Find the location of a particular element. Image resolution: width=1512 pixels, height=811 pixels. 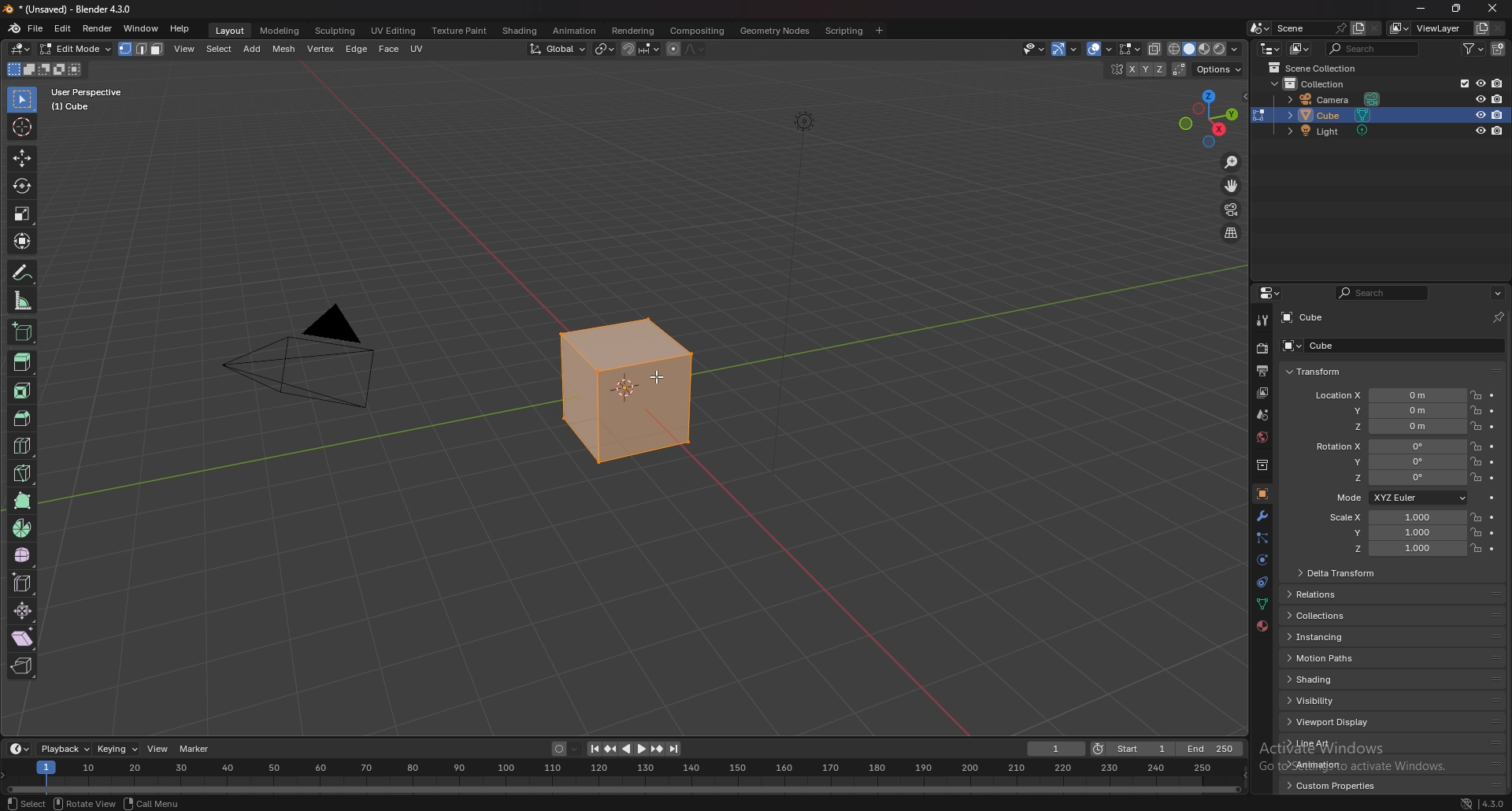

annotate is located at coordinates (24, 272).